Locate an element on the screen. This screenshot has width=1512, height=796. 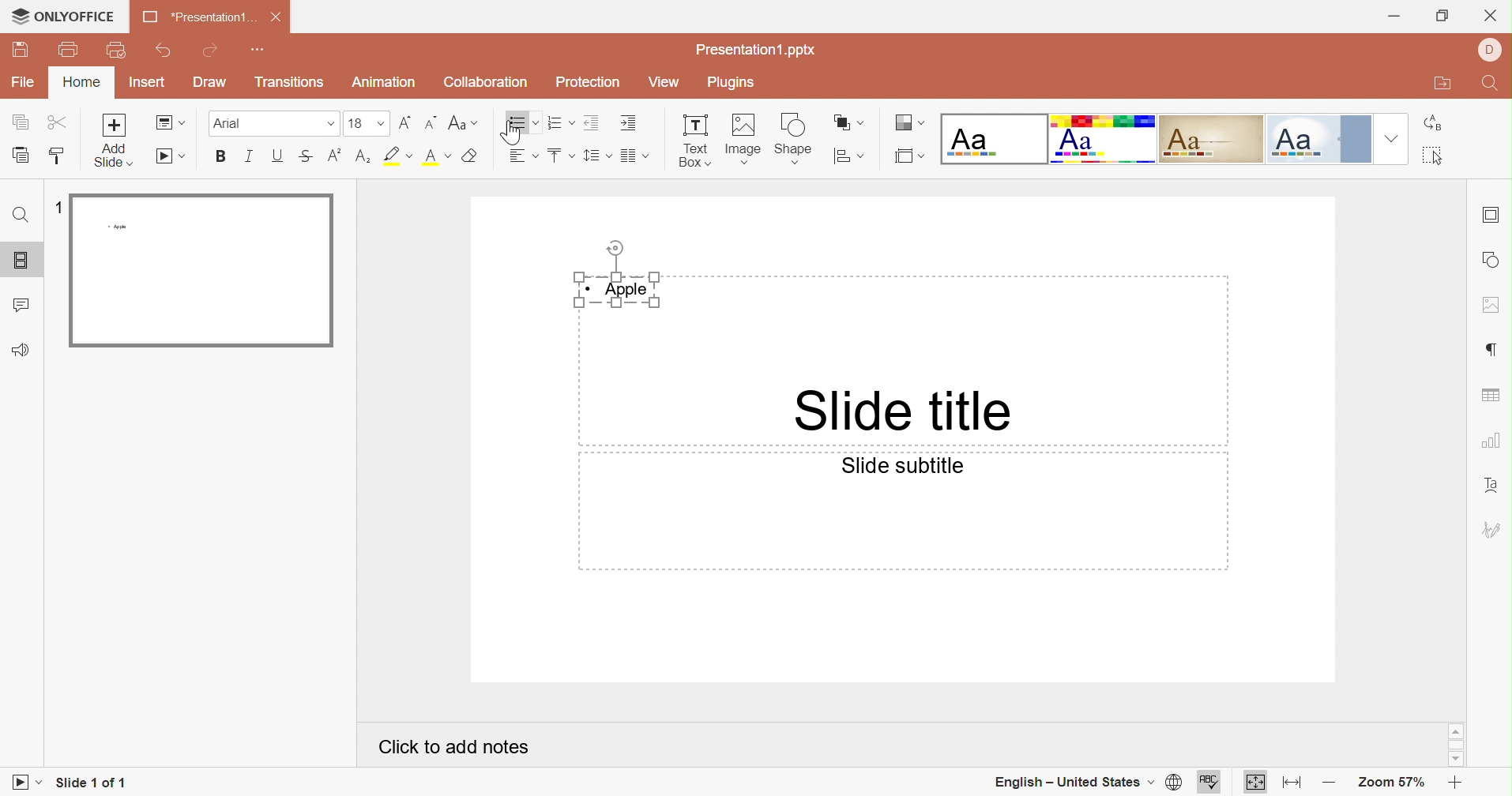
set document language is located at coordinates (1171, 783).